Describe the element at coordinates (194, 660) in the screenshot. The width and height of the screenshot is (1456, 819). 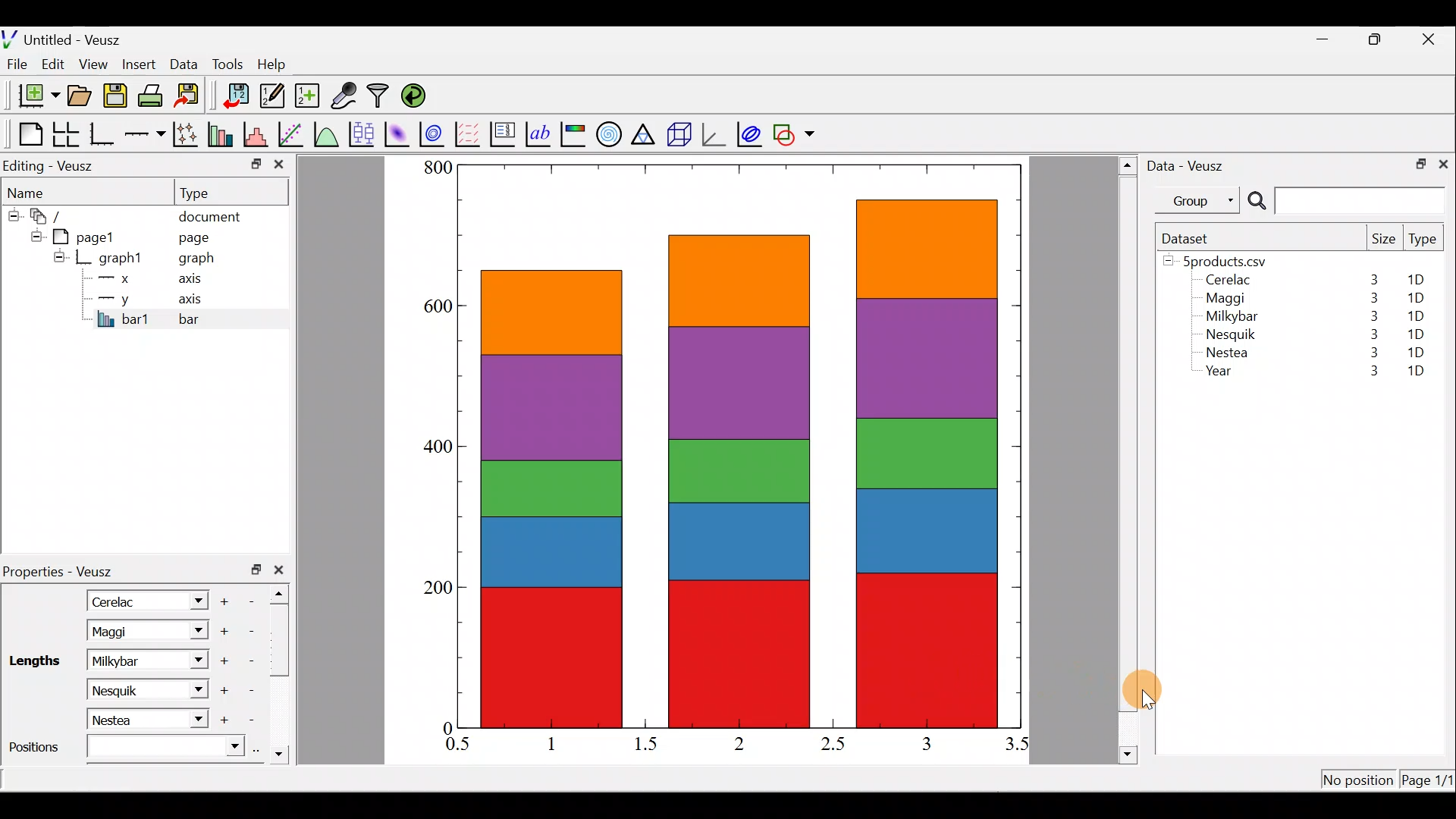
I see `Length dropdown` at that location.